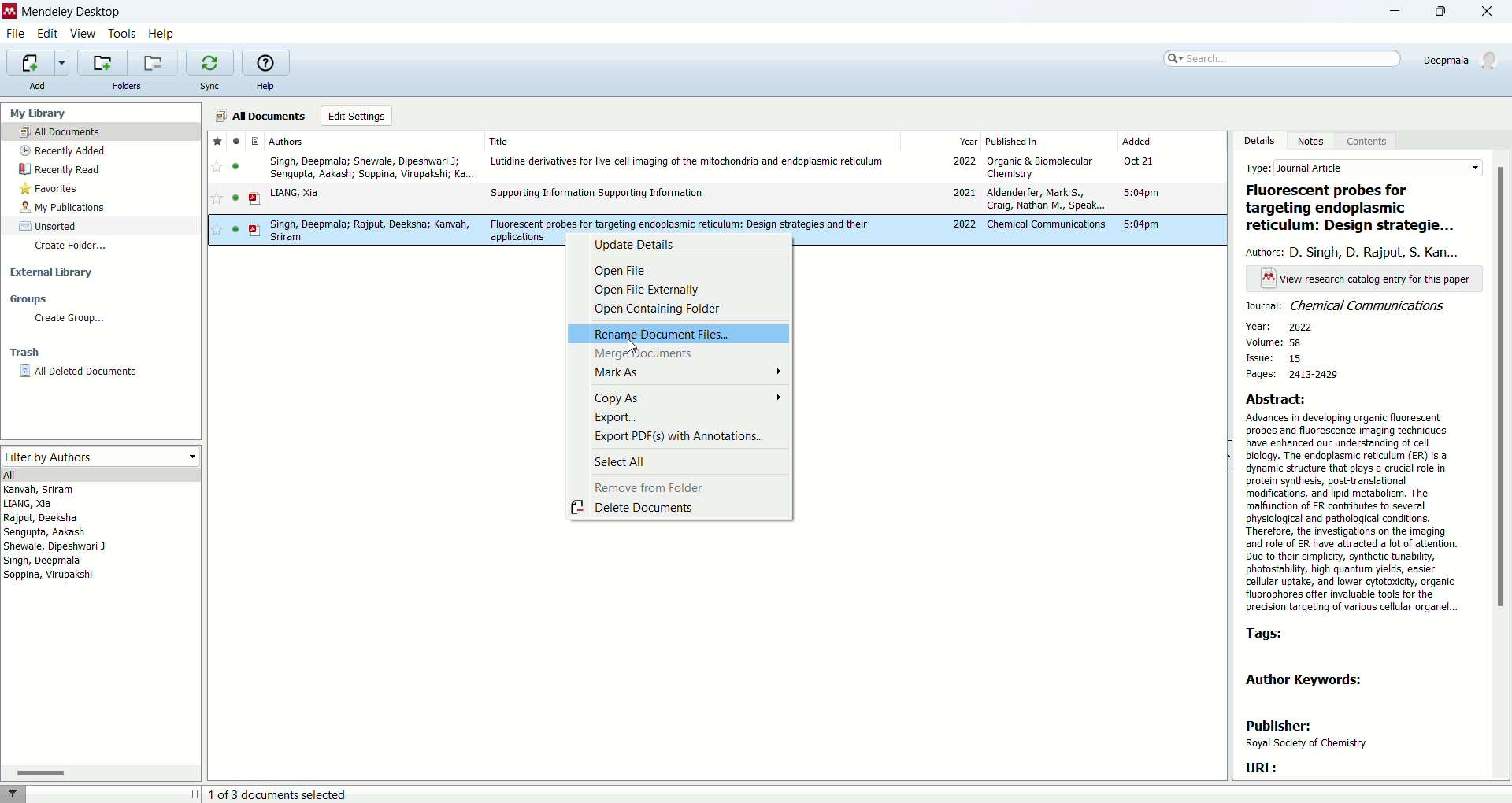 Image resolution: width=1512 pixels, height=803 pixels. What do you see at coordinates (369, 231) in the screenshot?
I see `Singh, Deepmala; Rajput, Deeksha; Kanvah,
Sriram` at bounding box center [369, 231].